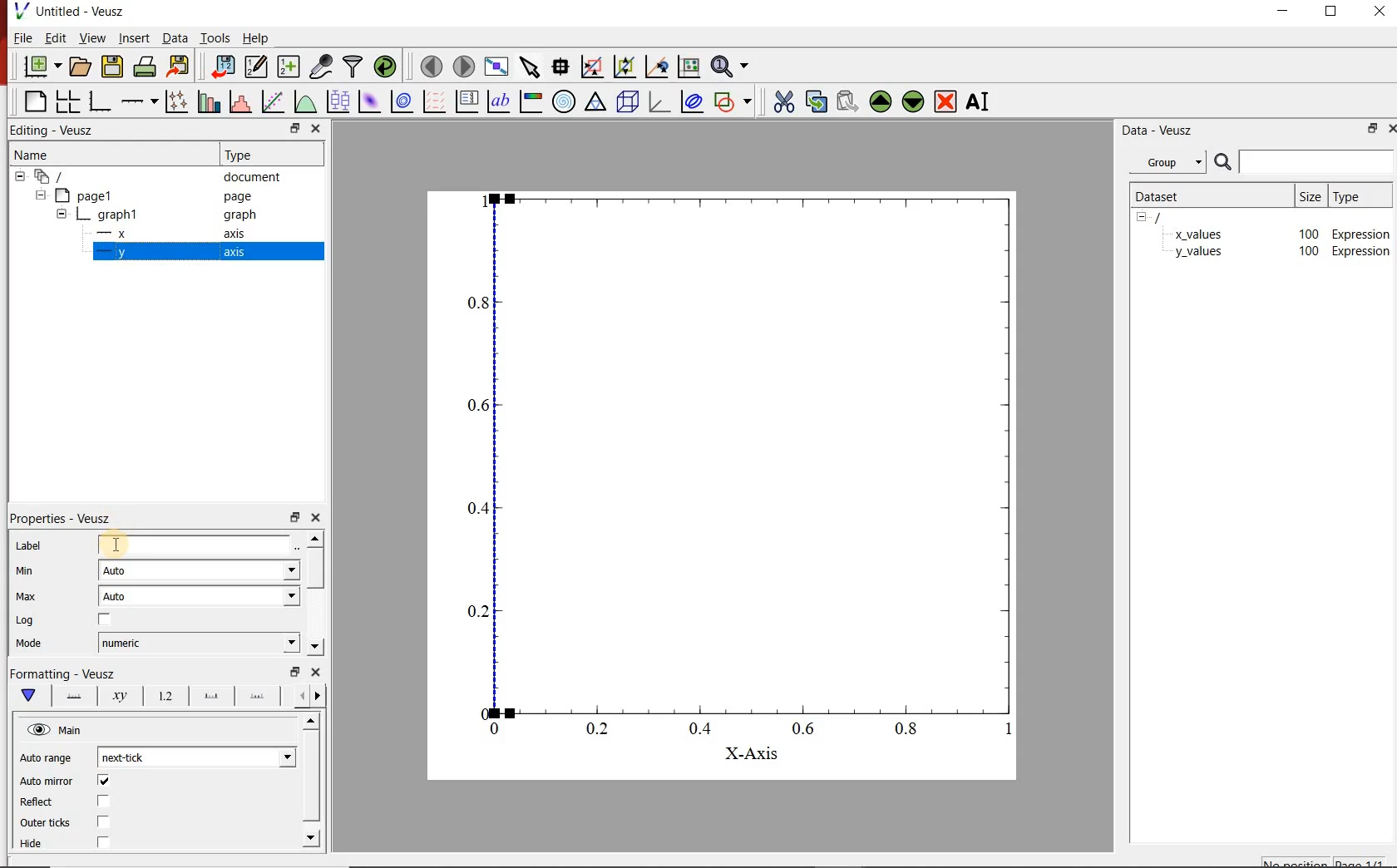 Image resolution: width=1397 pixels, height=868 pixels. What do you see at coordinates (314, 646) in the screenshot?
I see `move down` at bounding box center [314, 646].